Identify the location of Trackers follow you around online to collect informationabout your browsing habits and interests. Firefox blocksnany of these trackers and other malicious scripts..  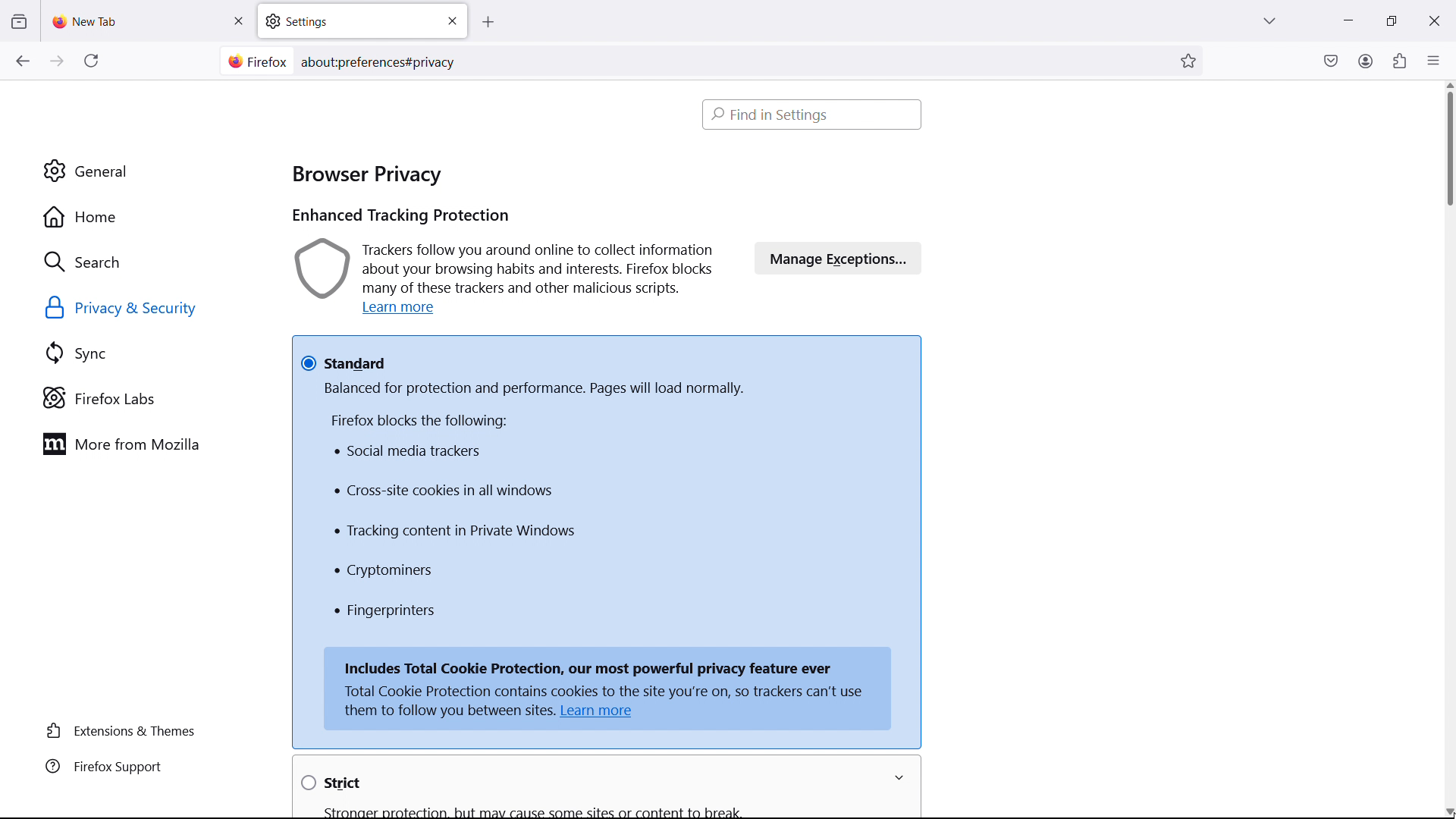
(508, 268).